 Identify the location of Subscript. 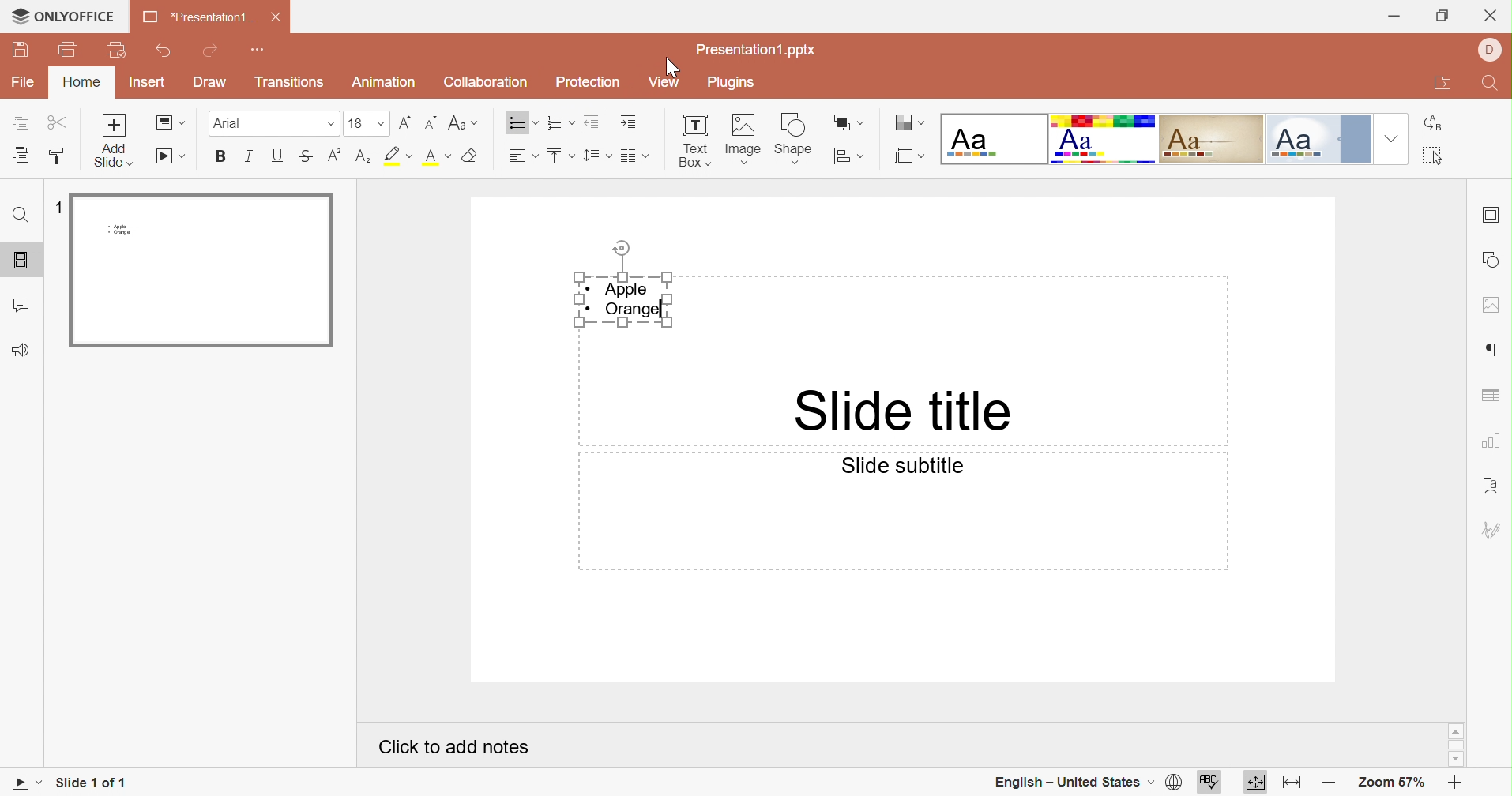
(335, 157).